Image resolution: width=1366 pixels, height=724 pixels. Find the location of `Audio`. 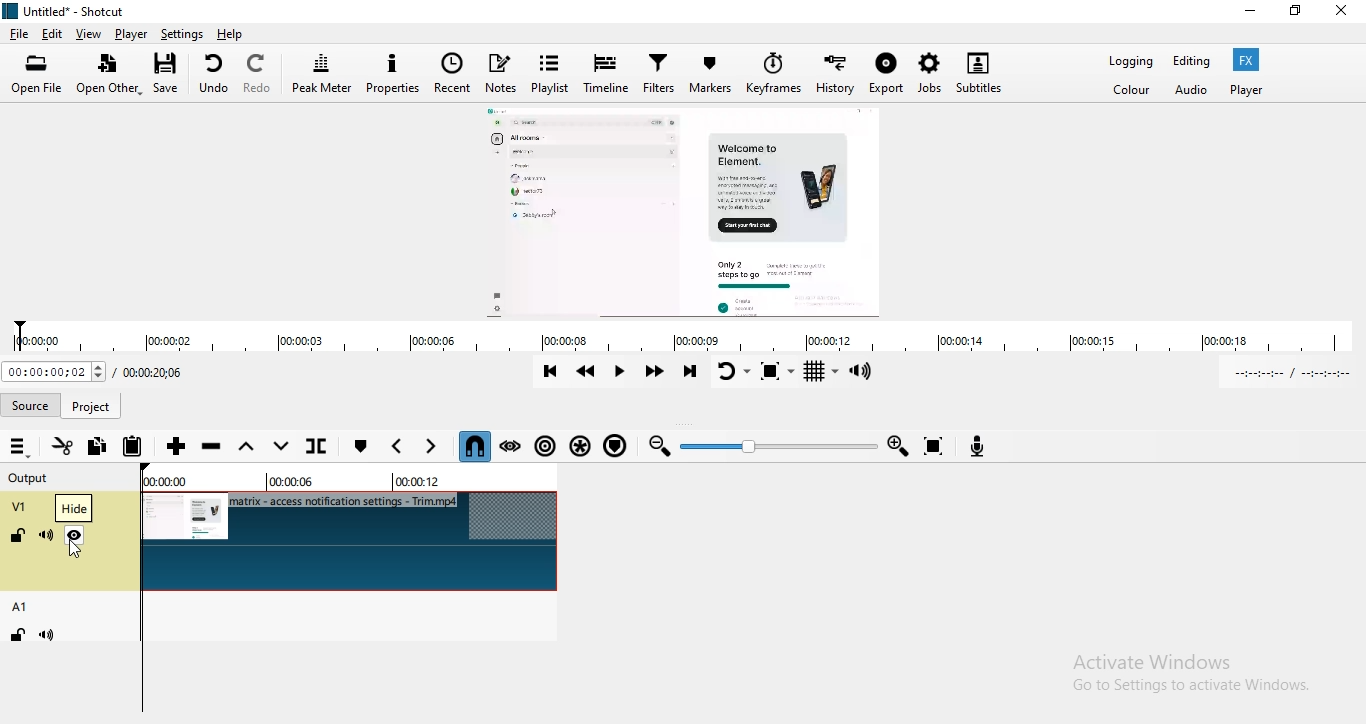

Audio is located at coordinates (1191, 94).